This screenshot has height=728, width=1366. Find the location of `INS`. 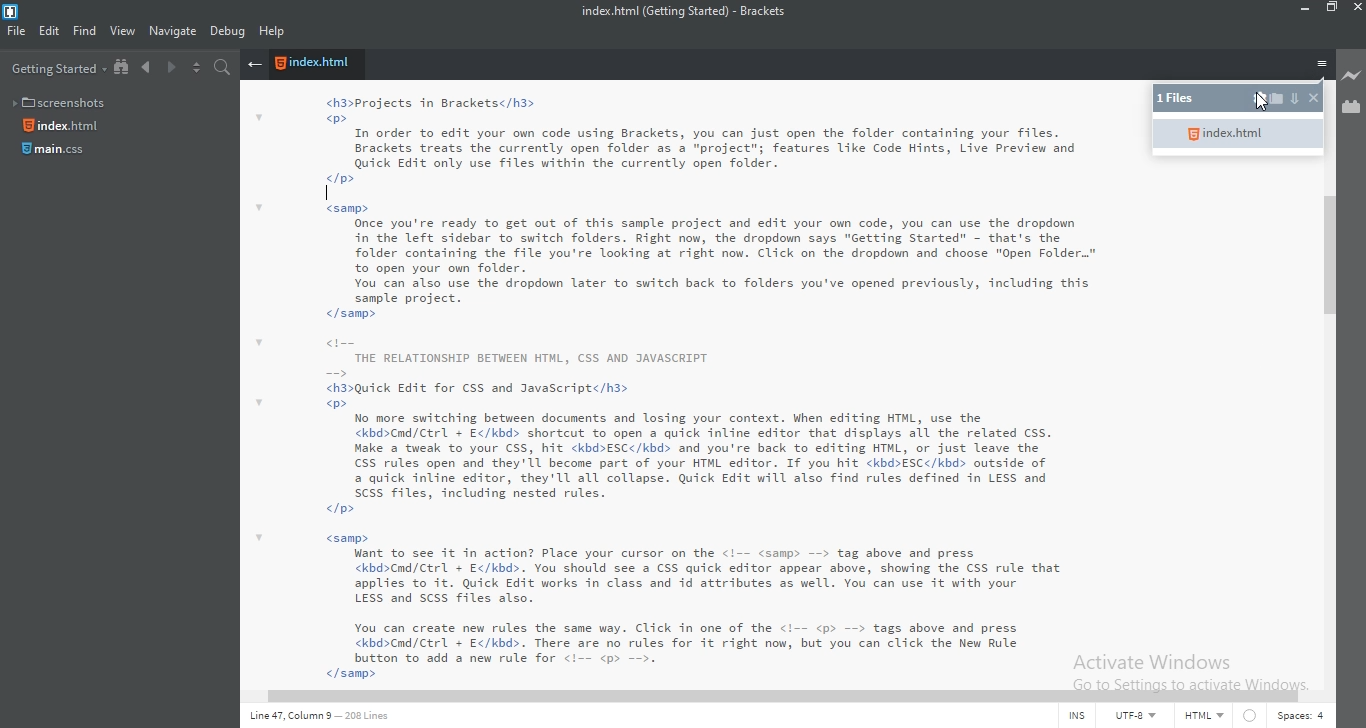

INS is located at coordinates (1080, 717).